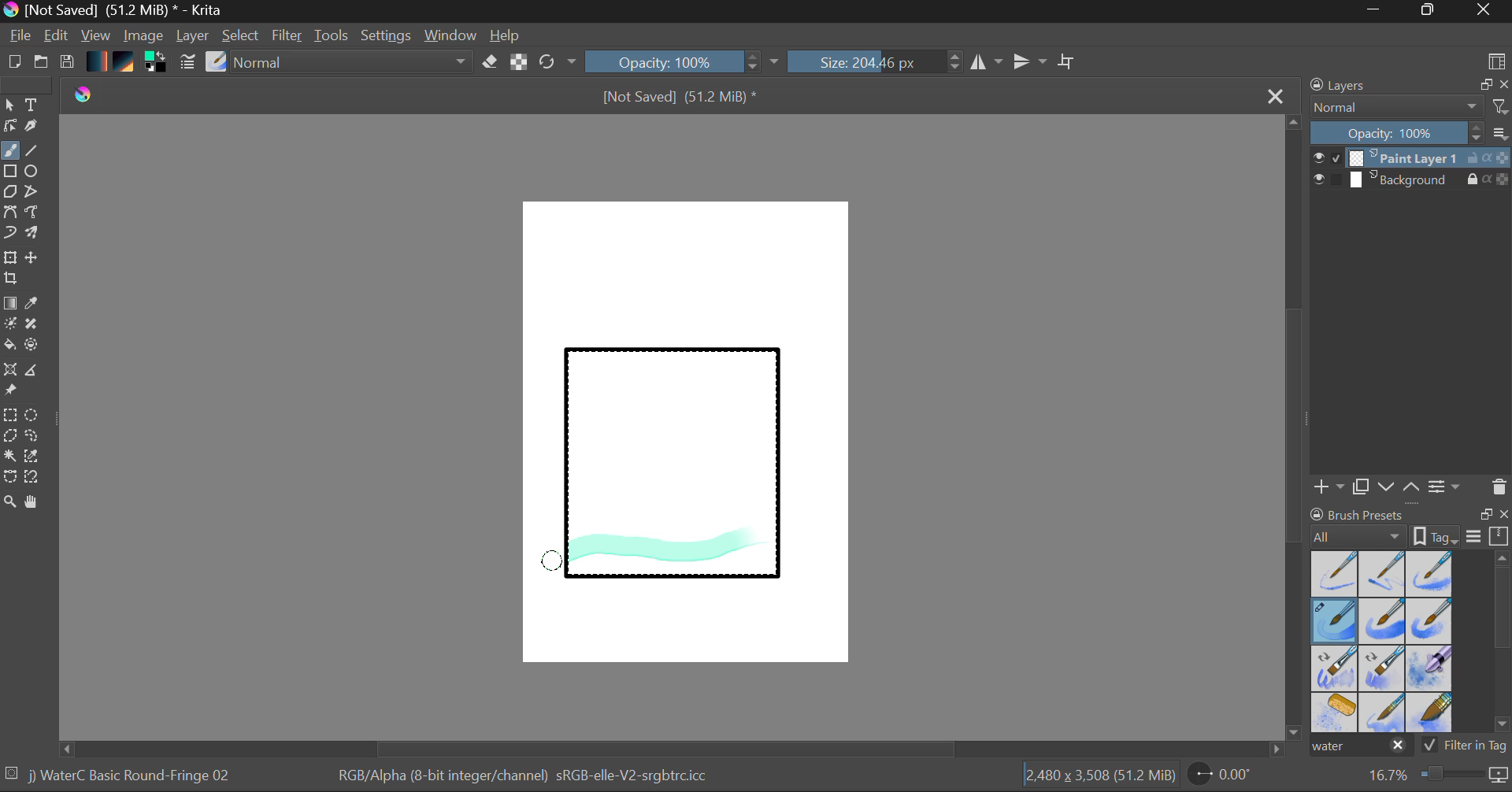 This screenshot has width=1512, height=792. I want to click on Move Layer Up, so click(1412, 486).